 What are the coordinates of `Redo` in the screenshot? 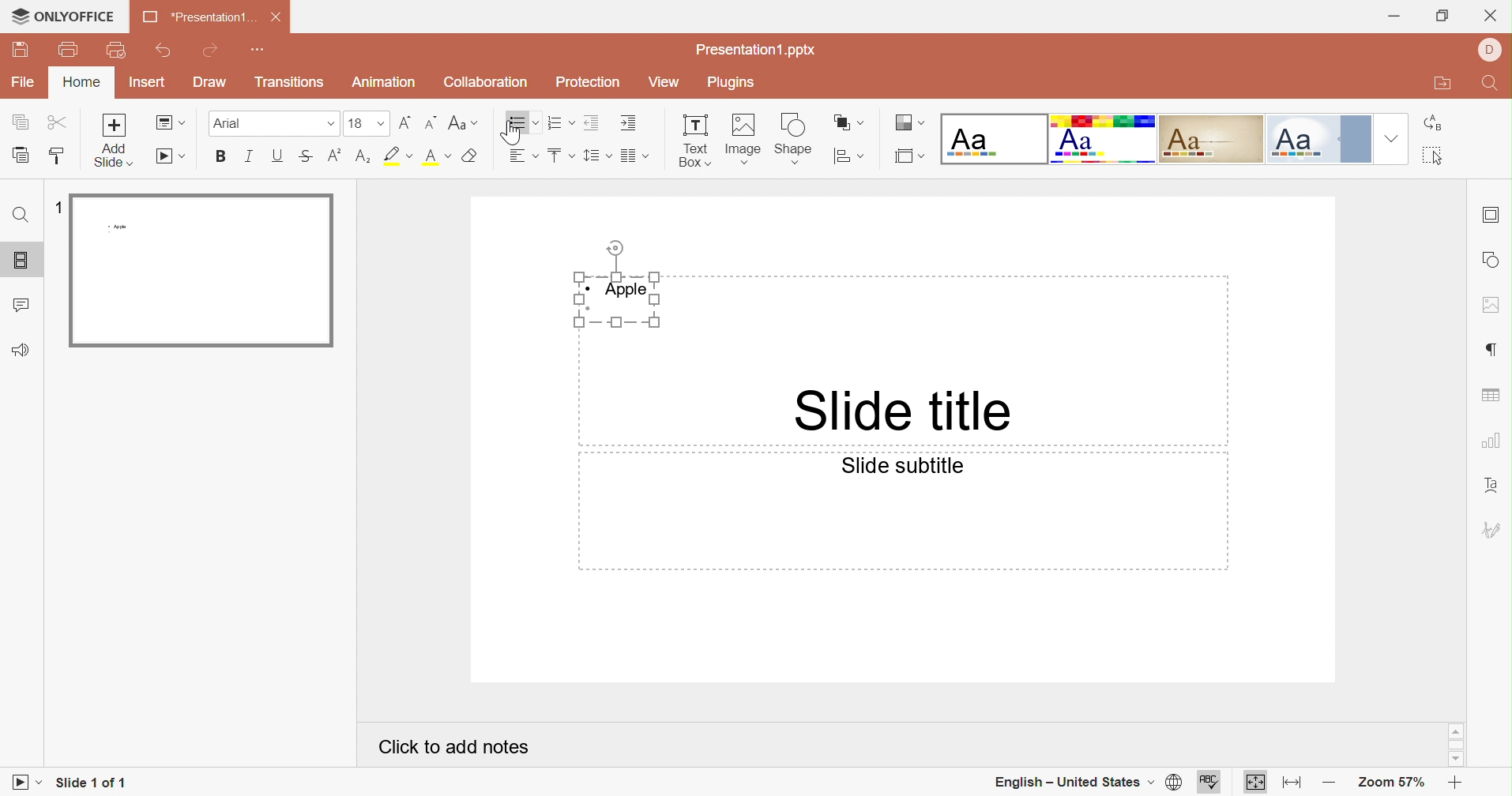 It's located at (210, 52).